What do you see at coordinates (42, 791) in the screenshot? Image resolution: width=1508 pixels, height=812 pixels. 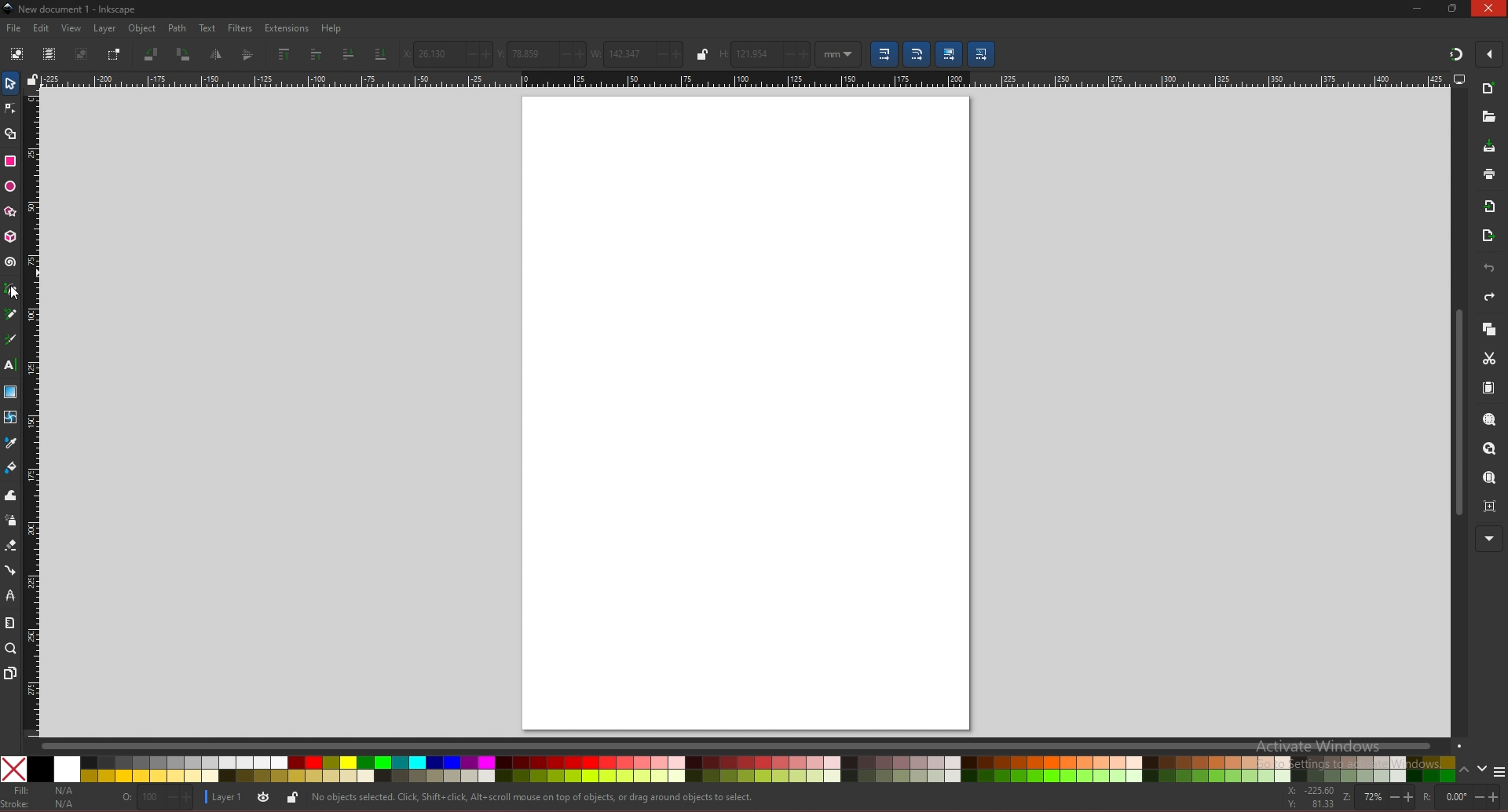 I see `fill` at bounding box center [42, 791].